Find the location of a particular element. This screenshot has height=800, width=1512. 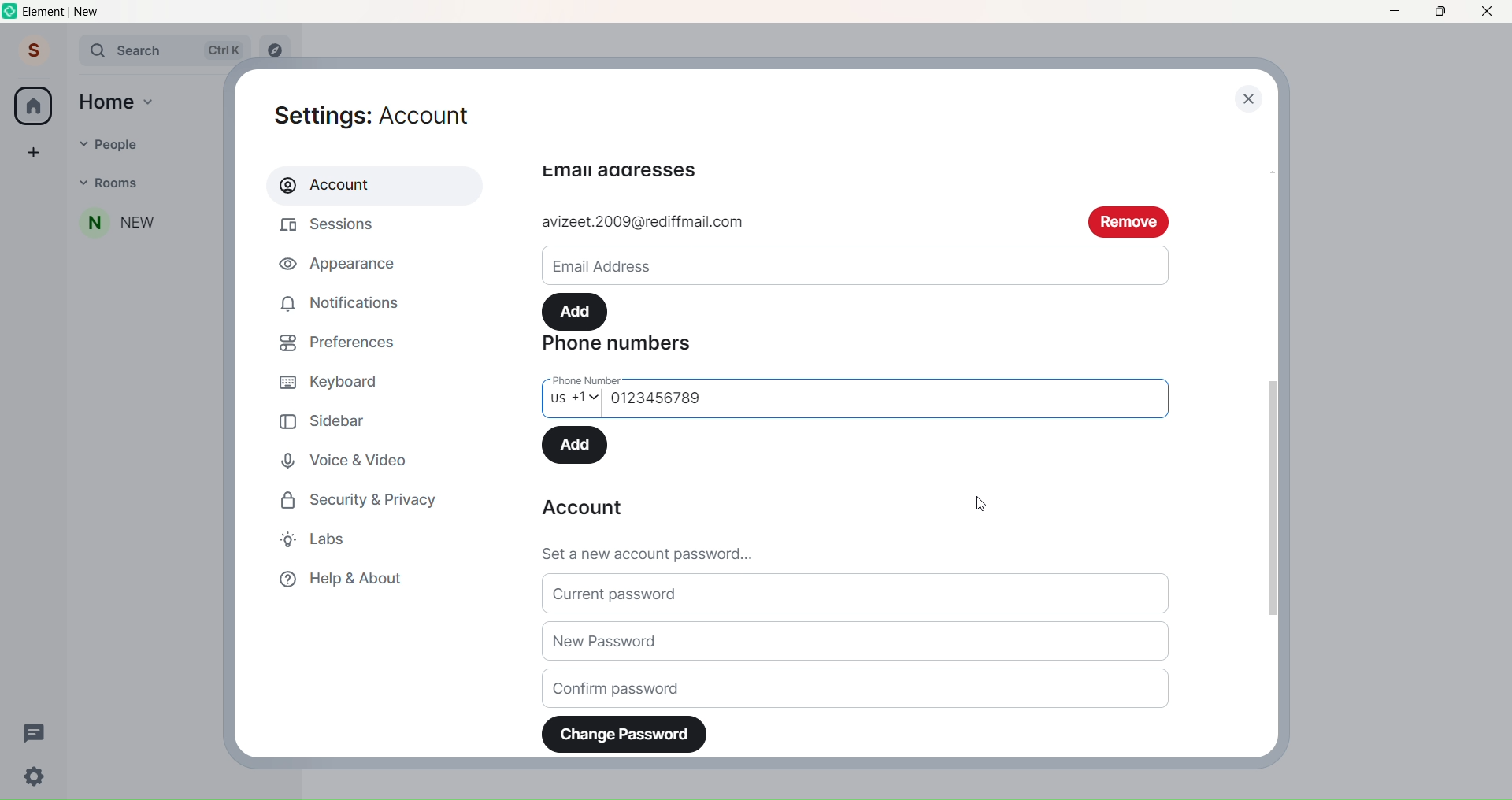

Set a new password is located at coordinates (862, 551).